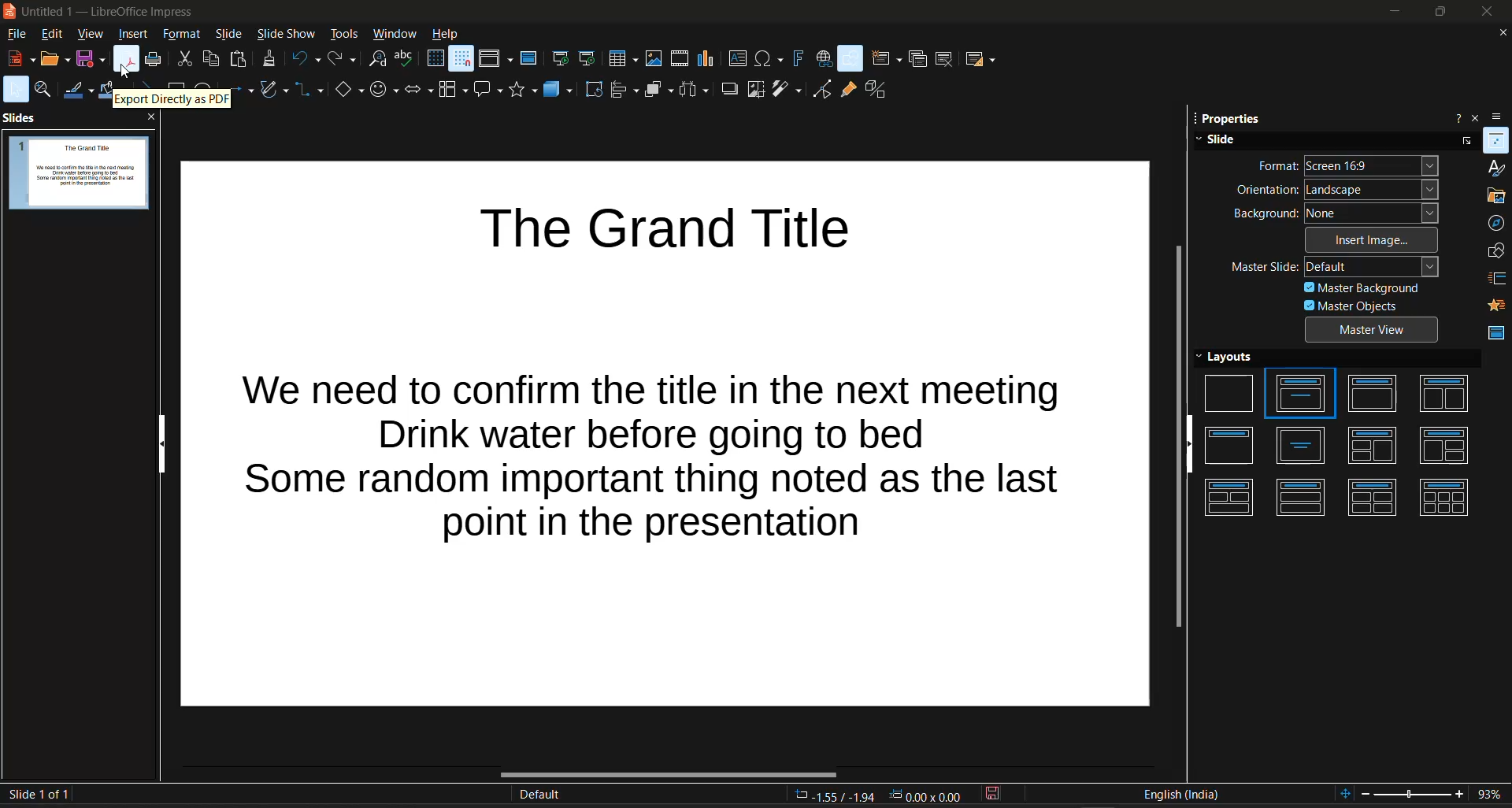 The width and height of the screenshot is (1512, 808). I want to click on background, so click(1337, 213).